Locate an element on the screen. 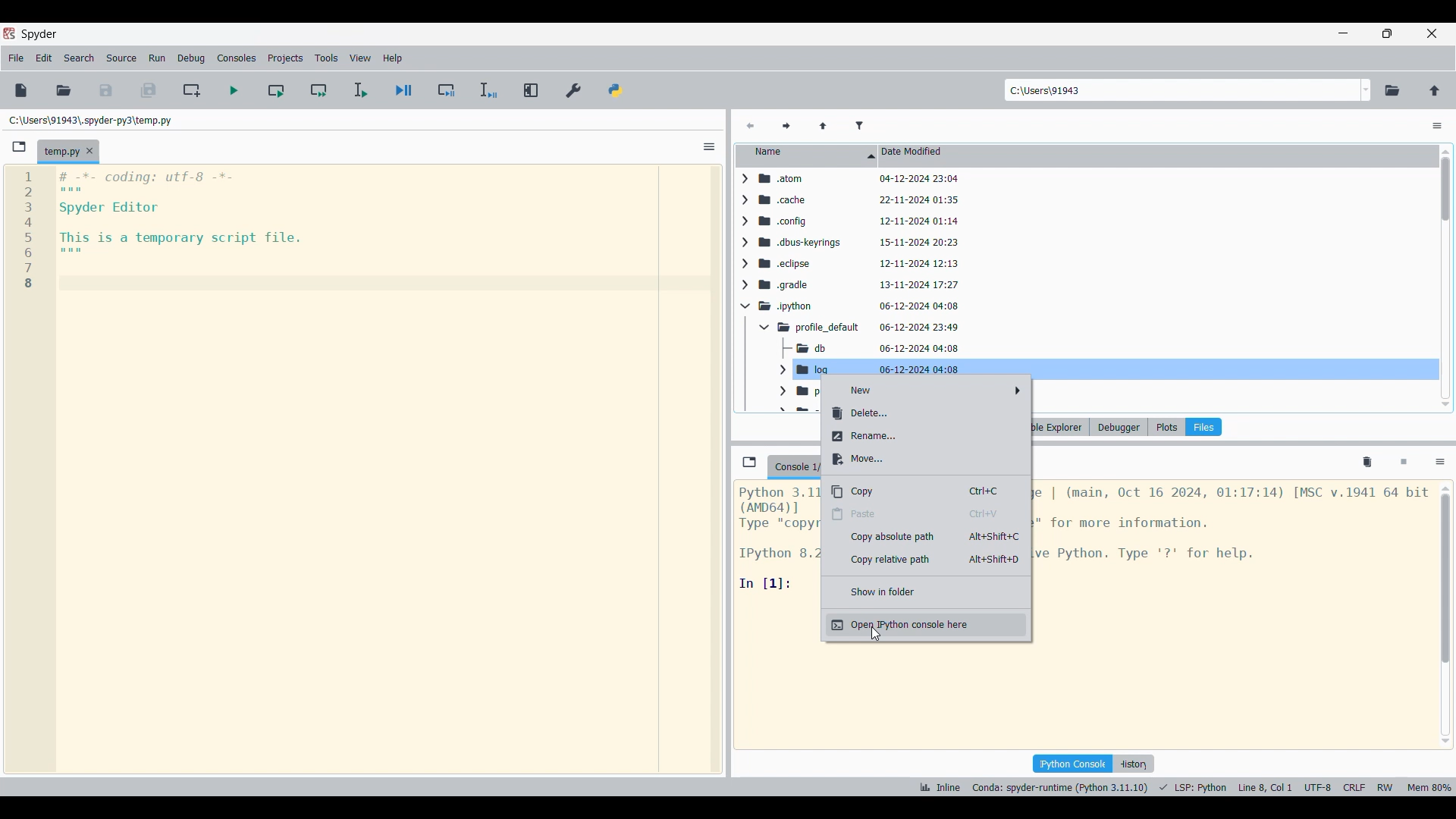 The height and width of the screenshot is (819, 1456). Click to expand respective folder is located at coordinates (744, 292).